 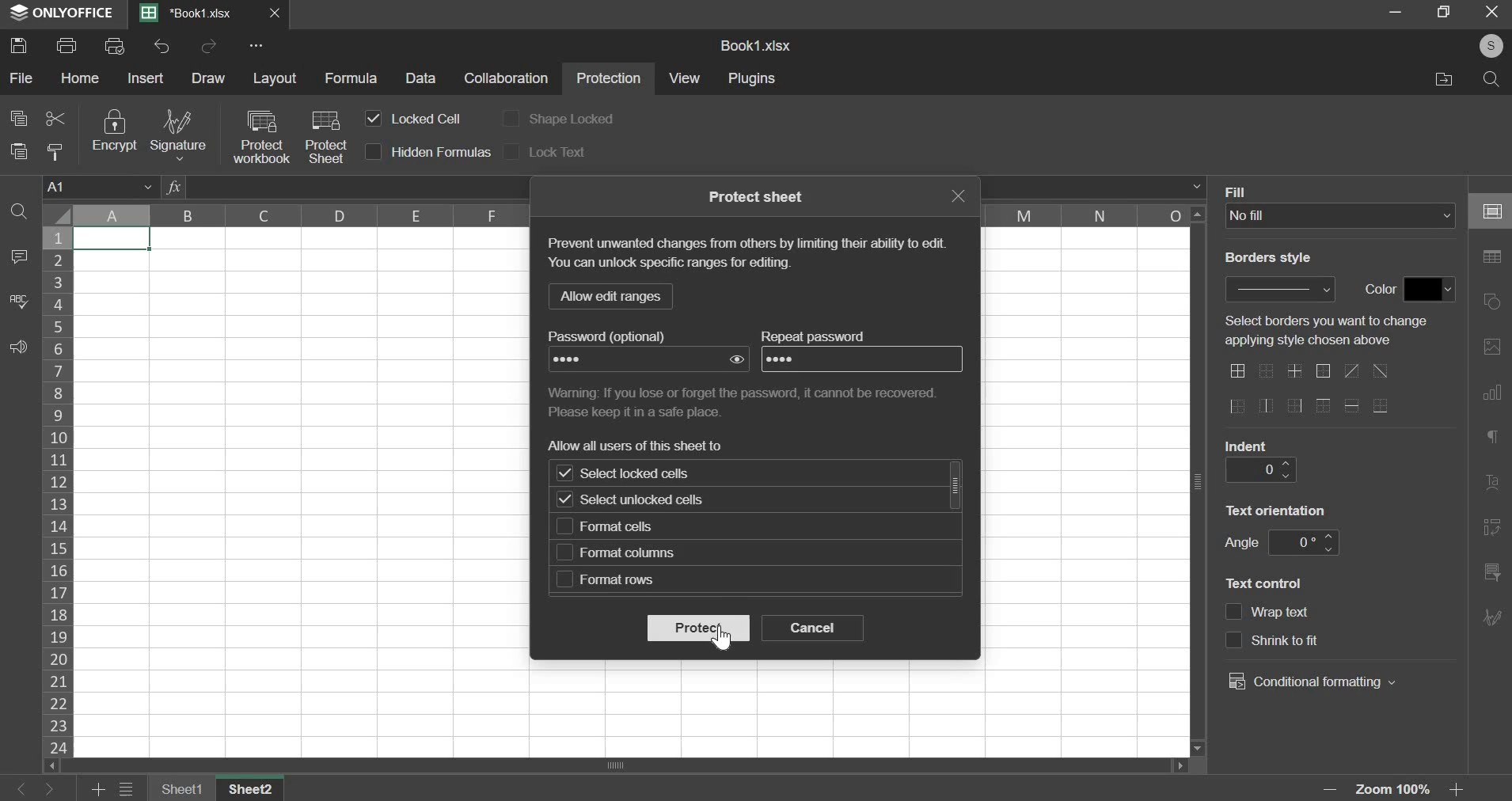 What do you see at coordinates (1494, 390) in the screenshot?
I see `right side bar` at bounding box center [1494, 390].